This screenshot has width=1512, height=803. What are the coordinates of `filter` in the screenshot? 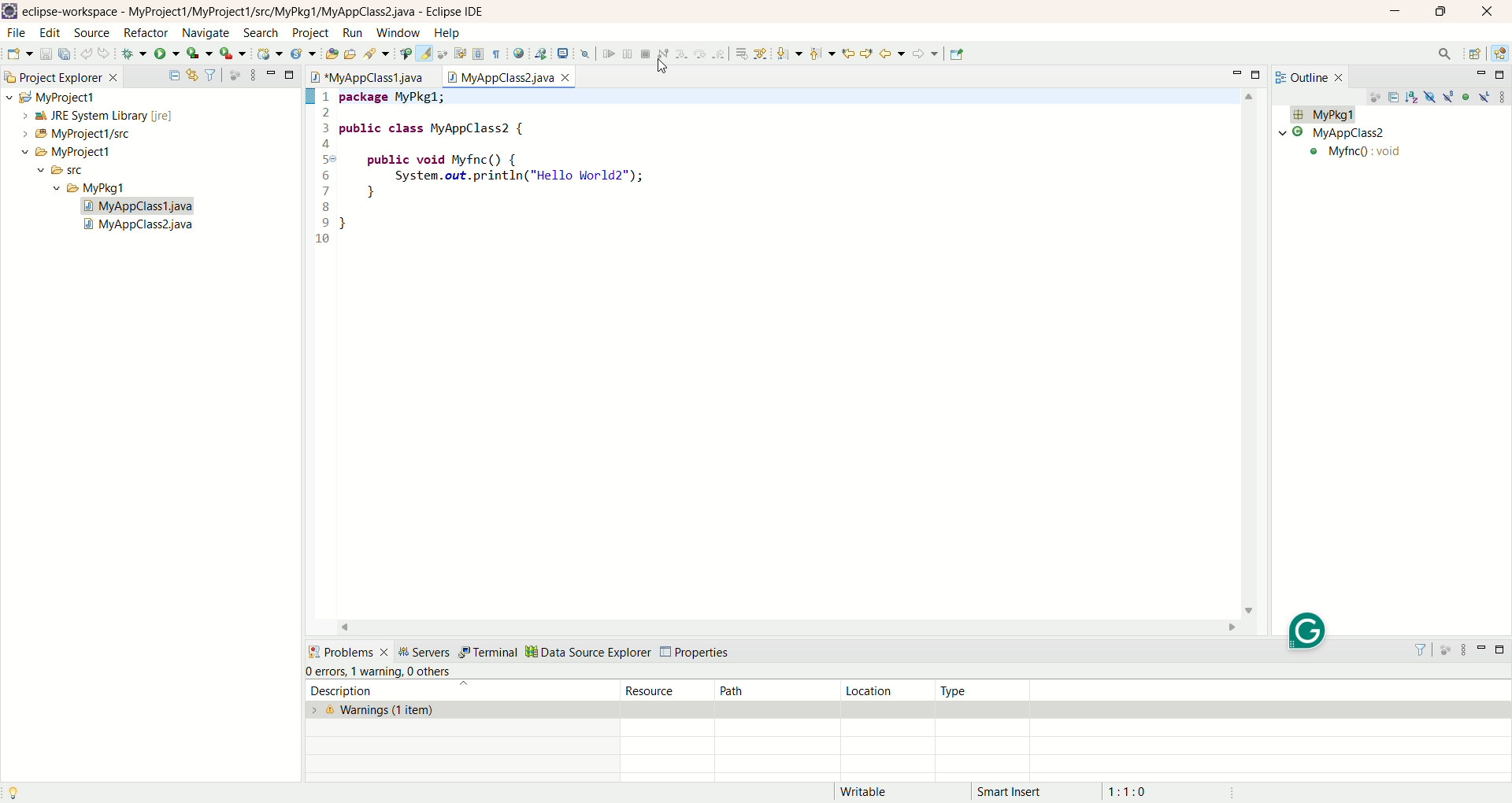 It's located at (1424, 649).